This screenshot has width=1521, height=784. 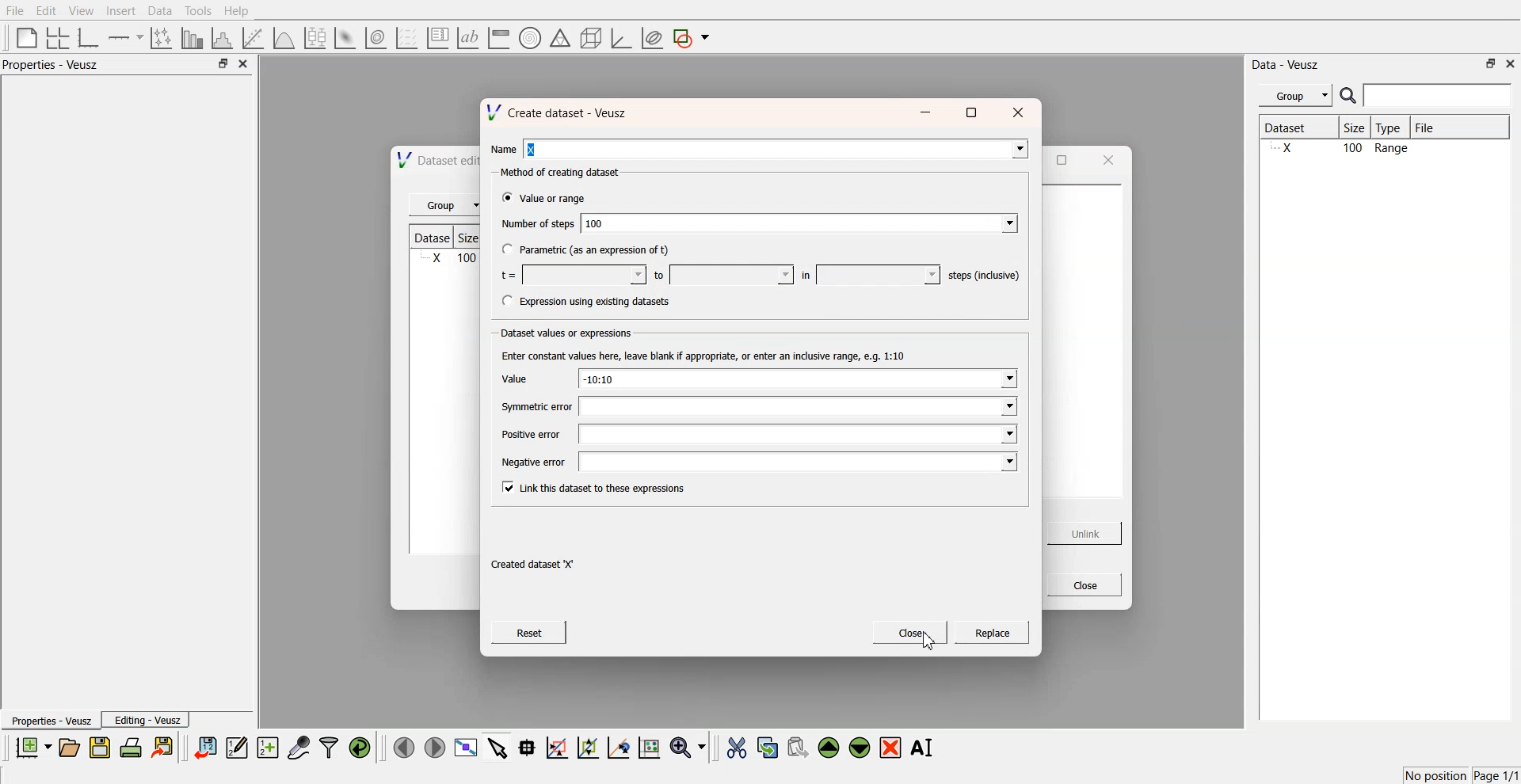 I want to click on copy the selected widgets, so click(x=768, y=747).